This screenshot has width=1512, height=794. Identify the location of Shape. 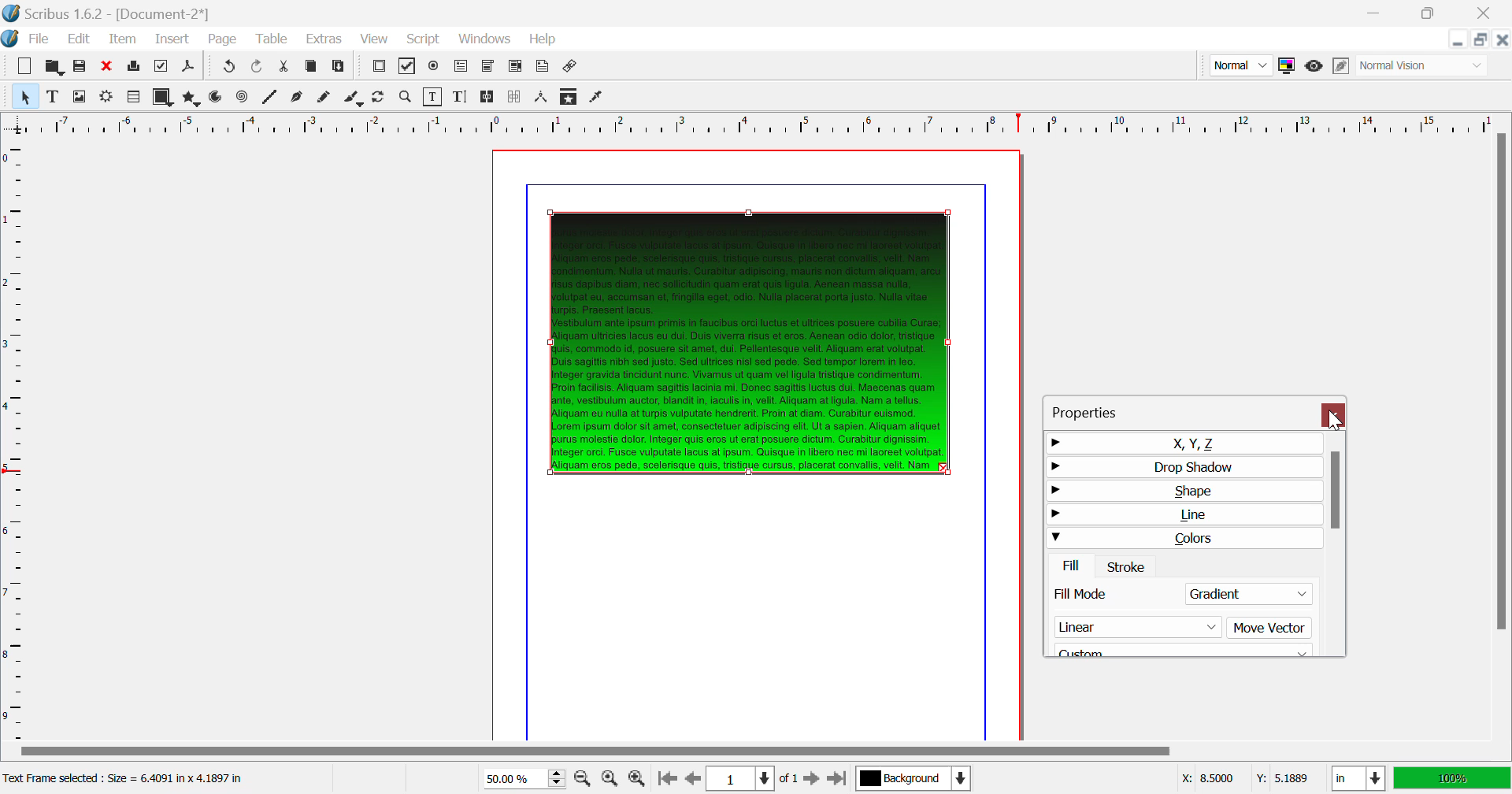
(1182, 492).